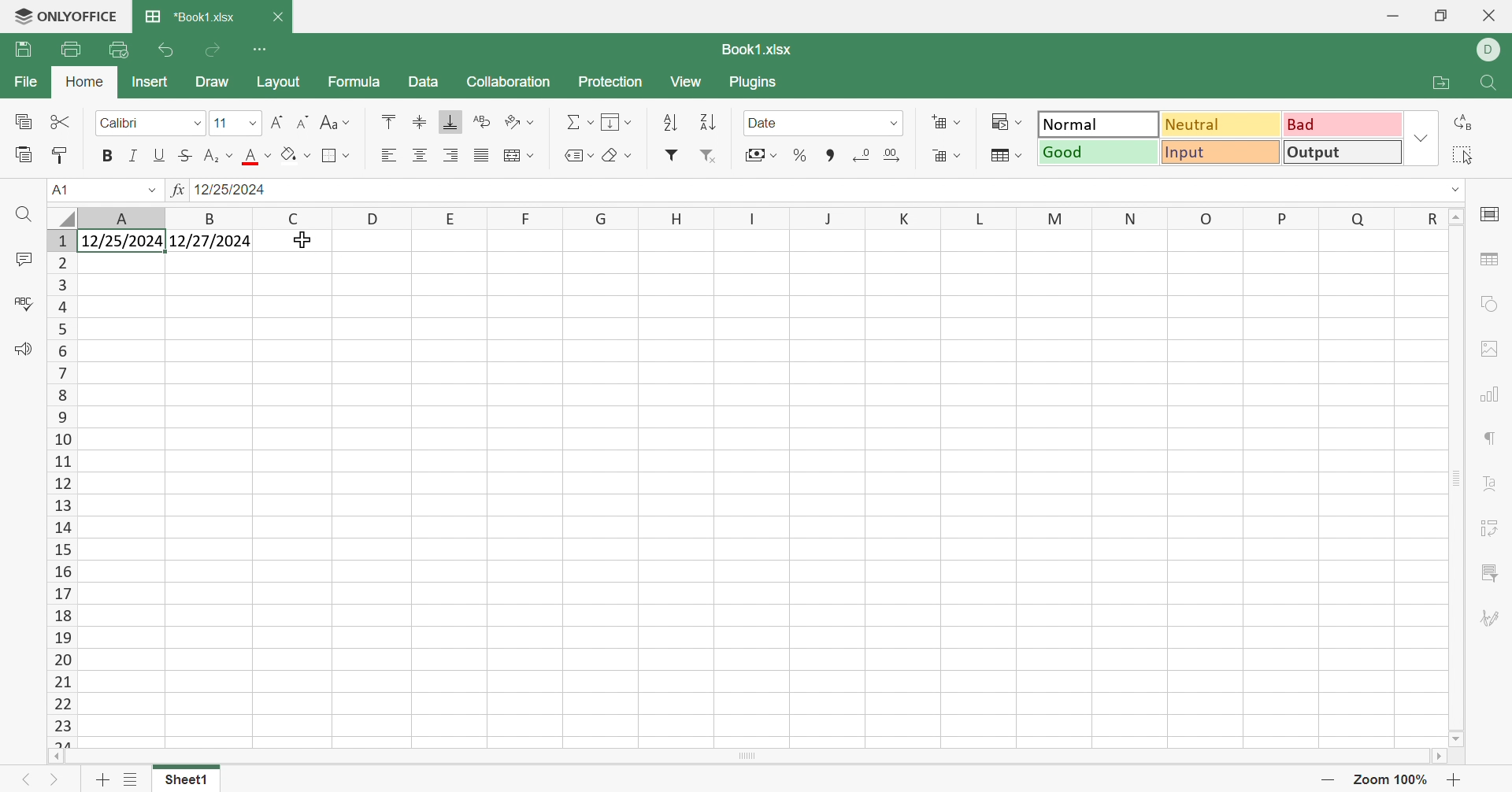 This screenshot has width=1512, height=792. Describe the element at coordinates (159, 154) in the screenshot. I see `Underline` at that location.